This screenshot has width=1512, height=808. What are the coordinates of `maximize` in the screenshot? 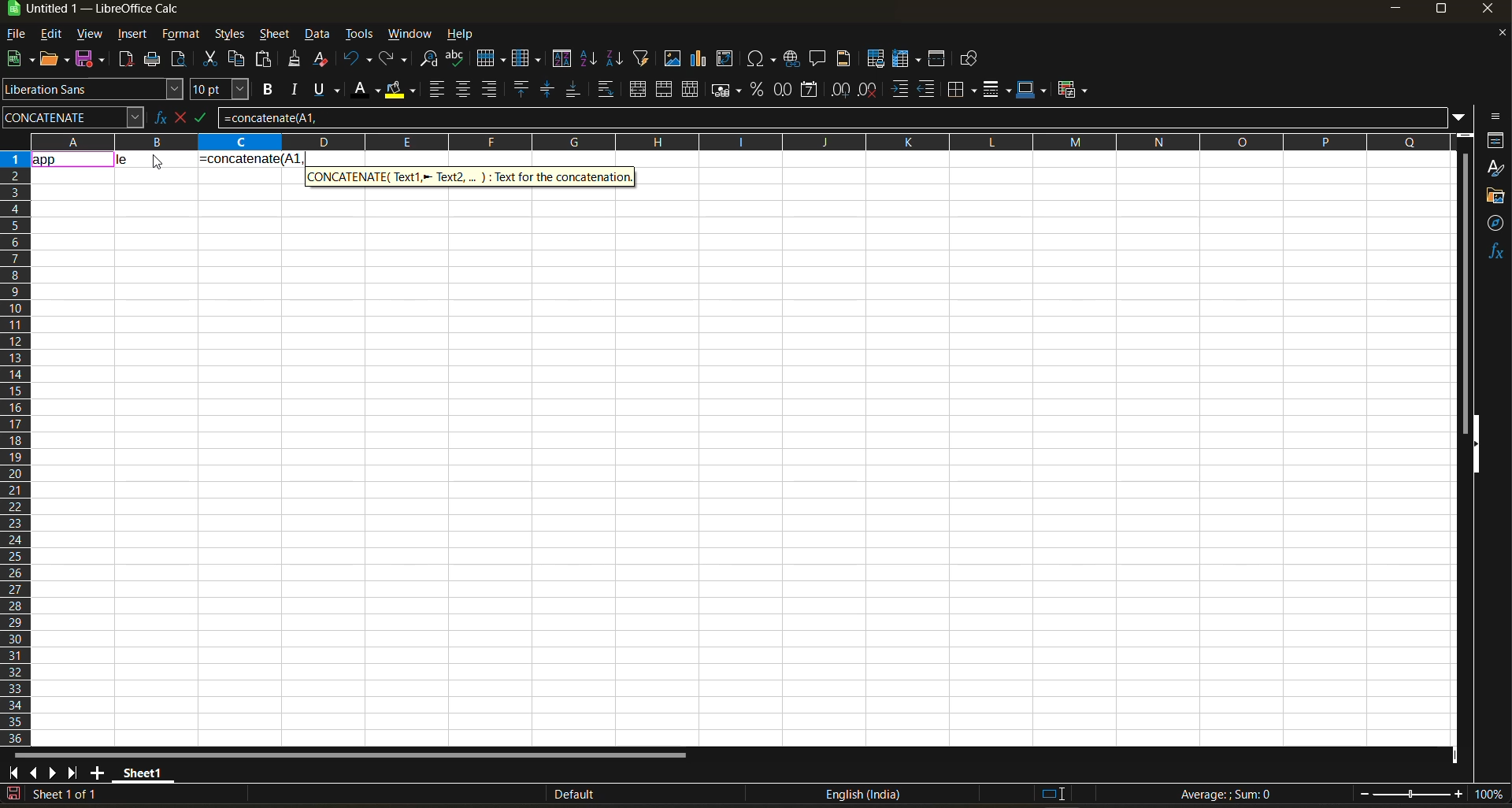 It's located at (1440, 12).